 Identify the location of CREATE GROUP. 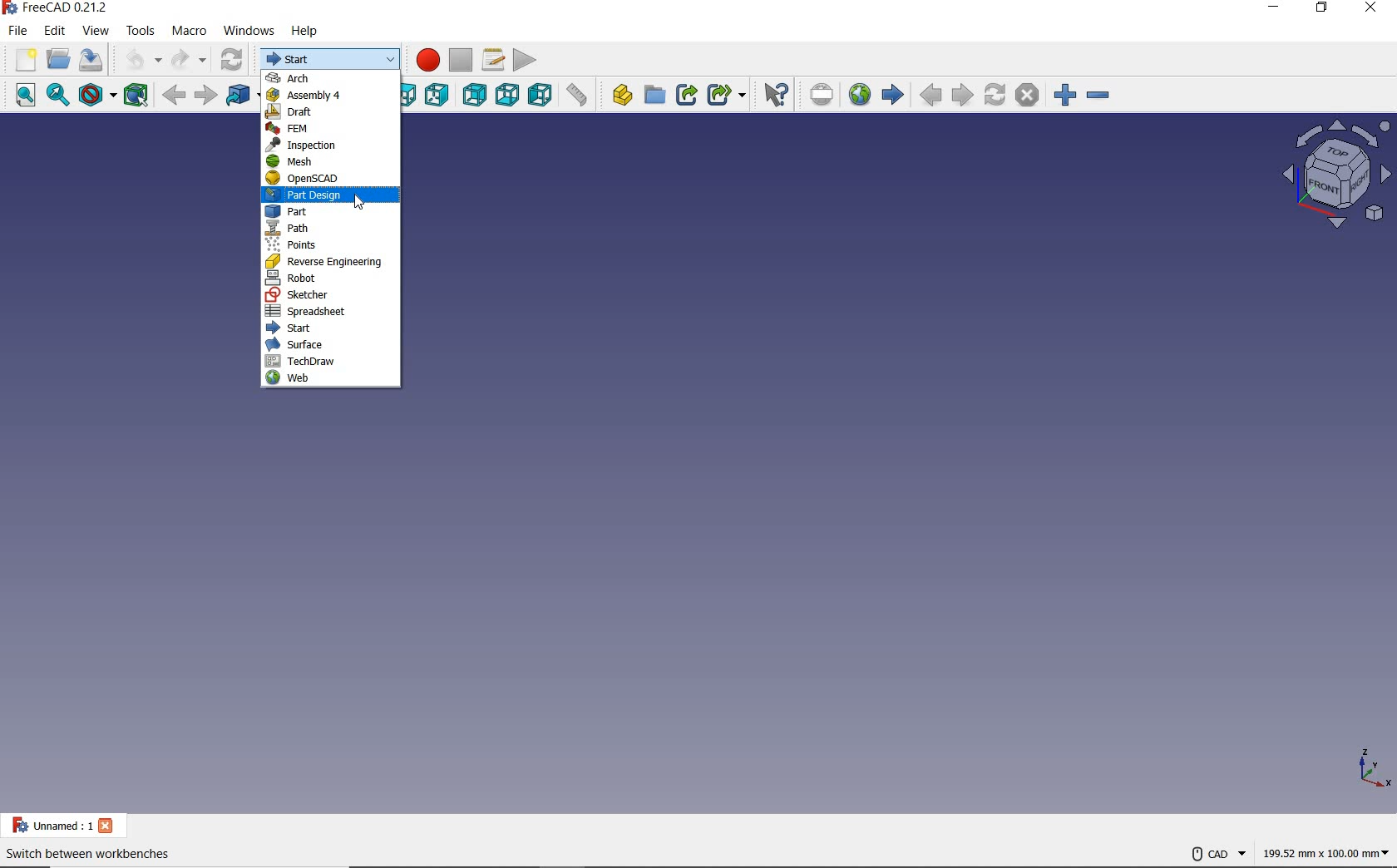
(654, 93).